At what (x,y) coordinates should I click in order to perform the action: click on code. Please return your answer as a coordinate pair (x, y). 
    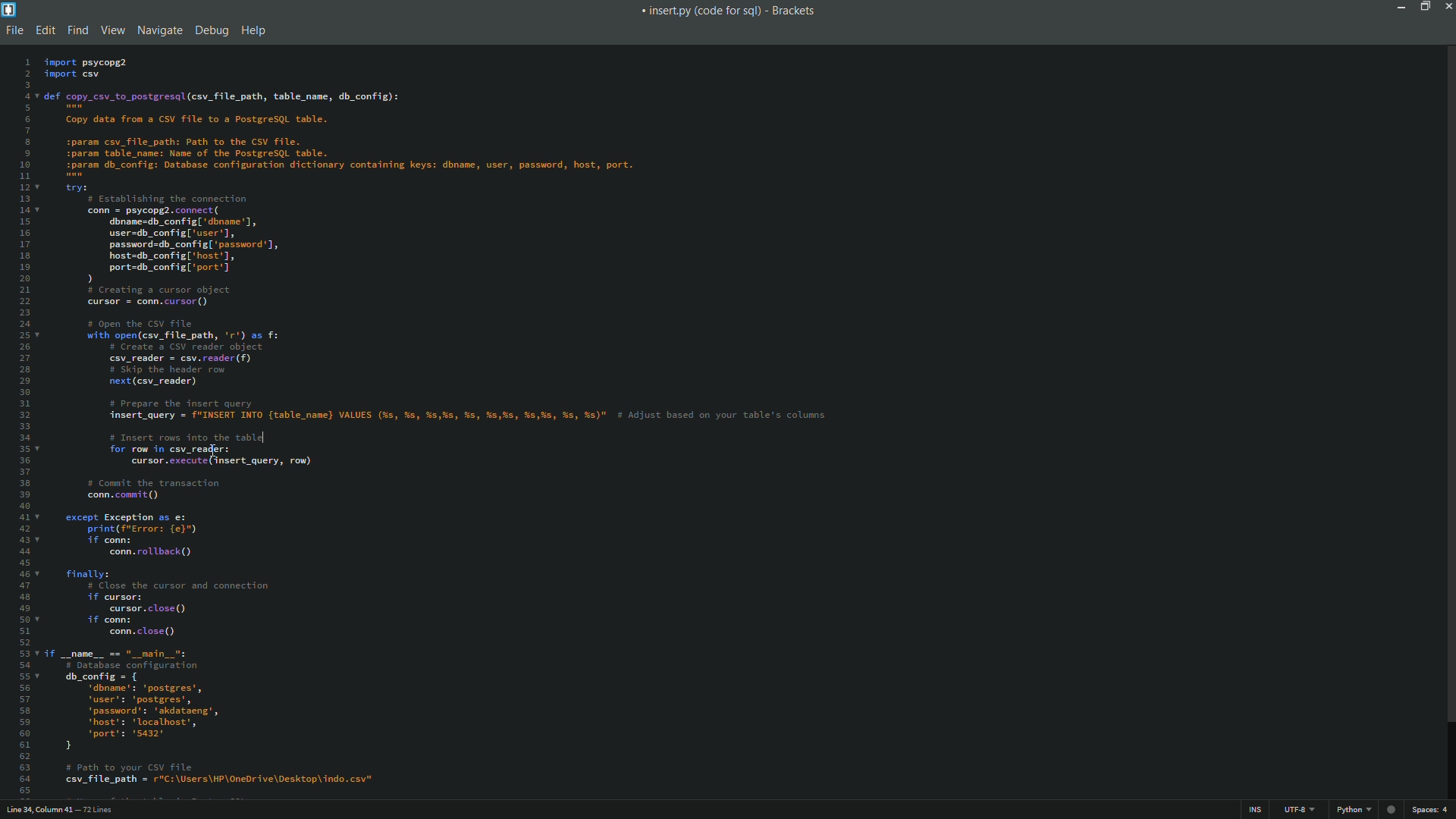
    Looking at the image, I should click on (448, 425).